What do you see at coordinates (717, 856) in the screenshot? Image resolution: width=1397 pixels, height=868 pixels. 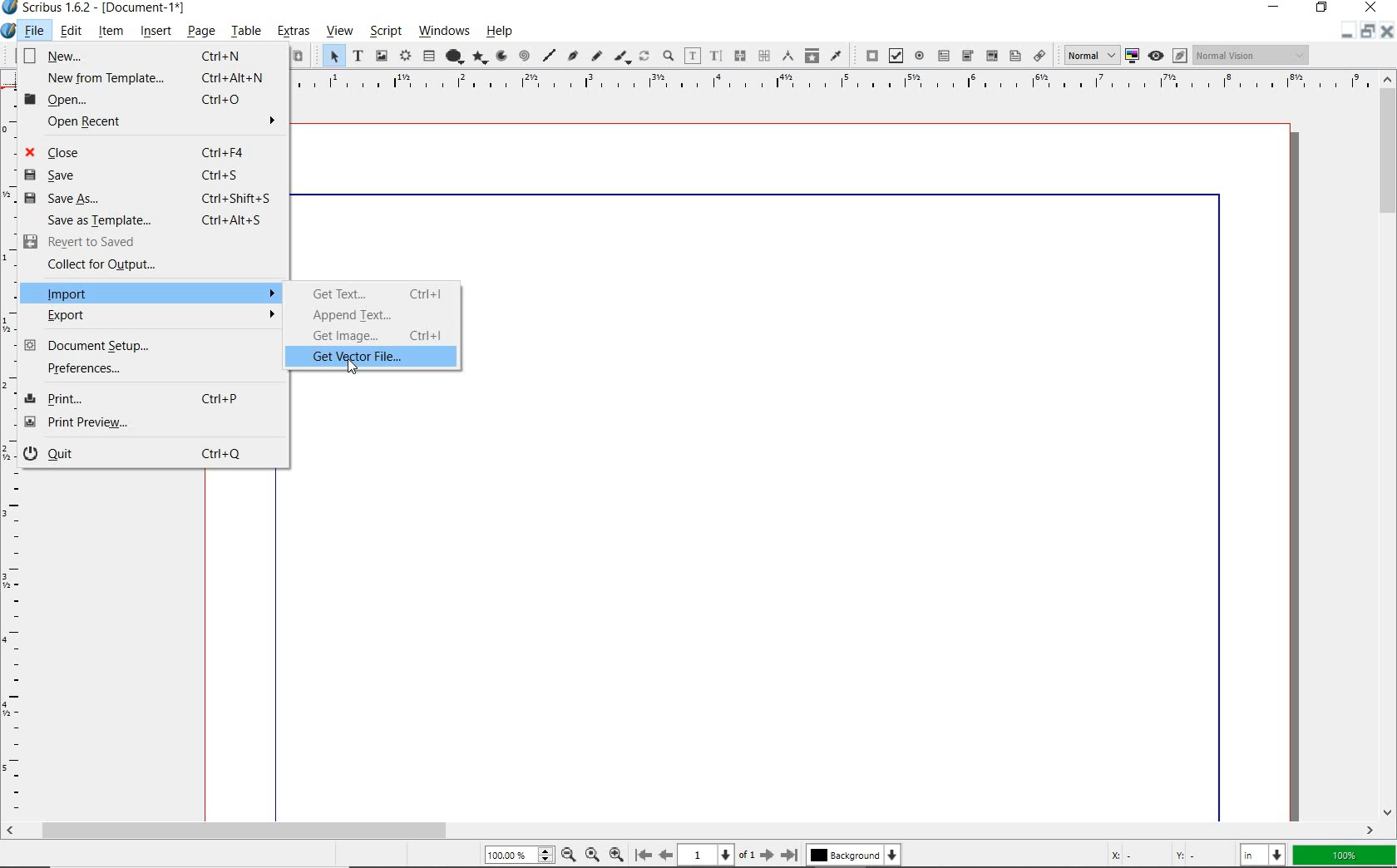 I see `1 of 1` at bounding box center [717, 856].